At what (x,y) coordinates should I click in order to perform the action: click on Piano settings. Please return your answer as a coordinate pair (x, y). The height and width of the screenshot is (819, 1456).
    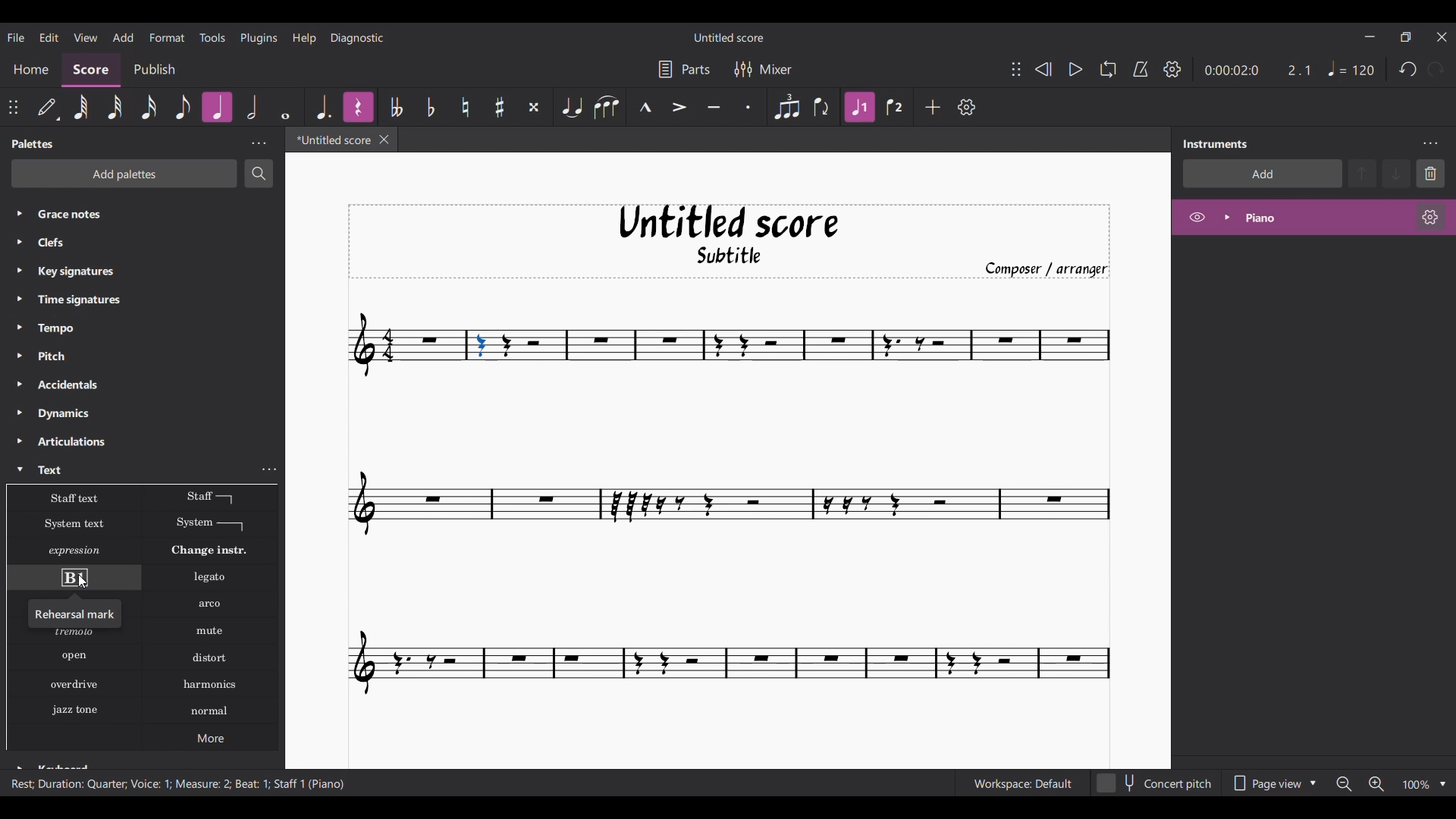
    Looking at the image, I should click on (1430, 217).